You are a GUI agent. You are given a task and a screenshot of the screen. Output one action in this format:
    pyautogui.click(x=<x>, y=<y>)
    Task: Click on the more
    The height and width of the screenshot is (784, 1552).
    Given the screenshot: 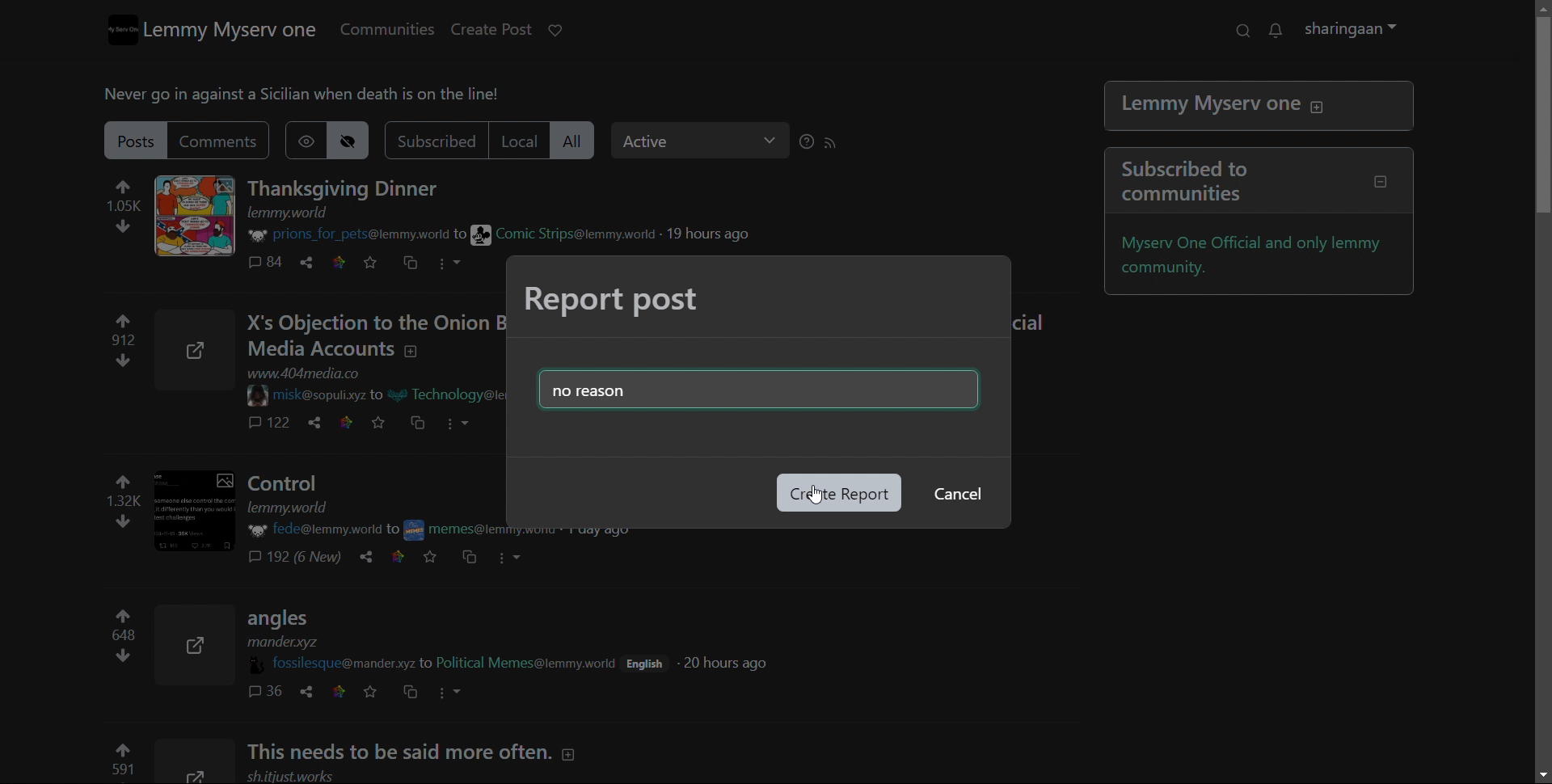 What is the action you would take?
    pyautogui.click(x=459, y=690)
    